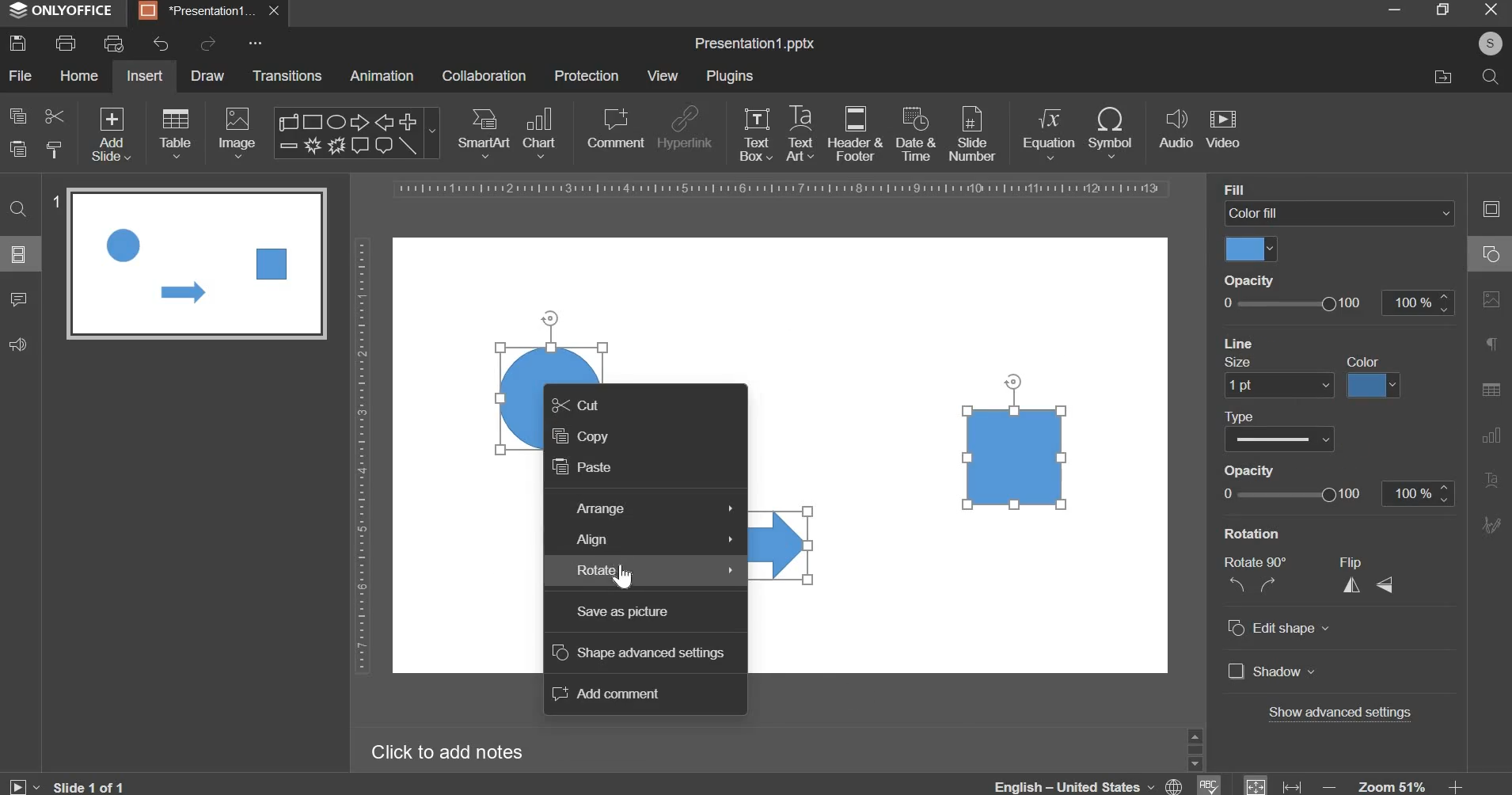  Describe the element at coordinates (198, 12) in the screenshot. I see `Presentation` at that location.